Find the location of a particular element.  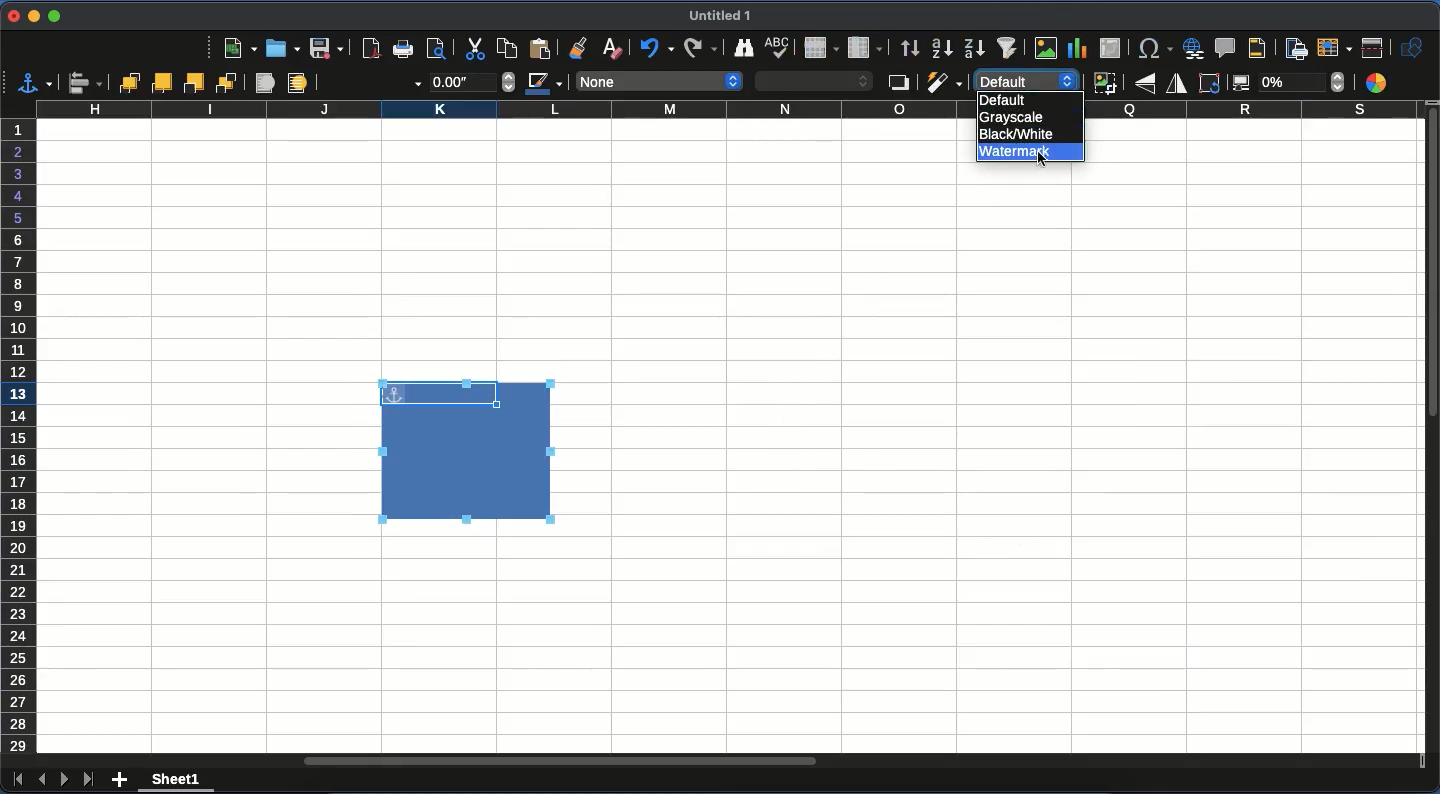

close is located at coordinates (11, 15).